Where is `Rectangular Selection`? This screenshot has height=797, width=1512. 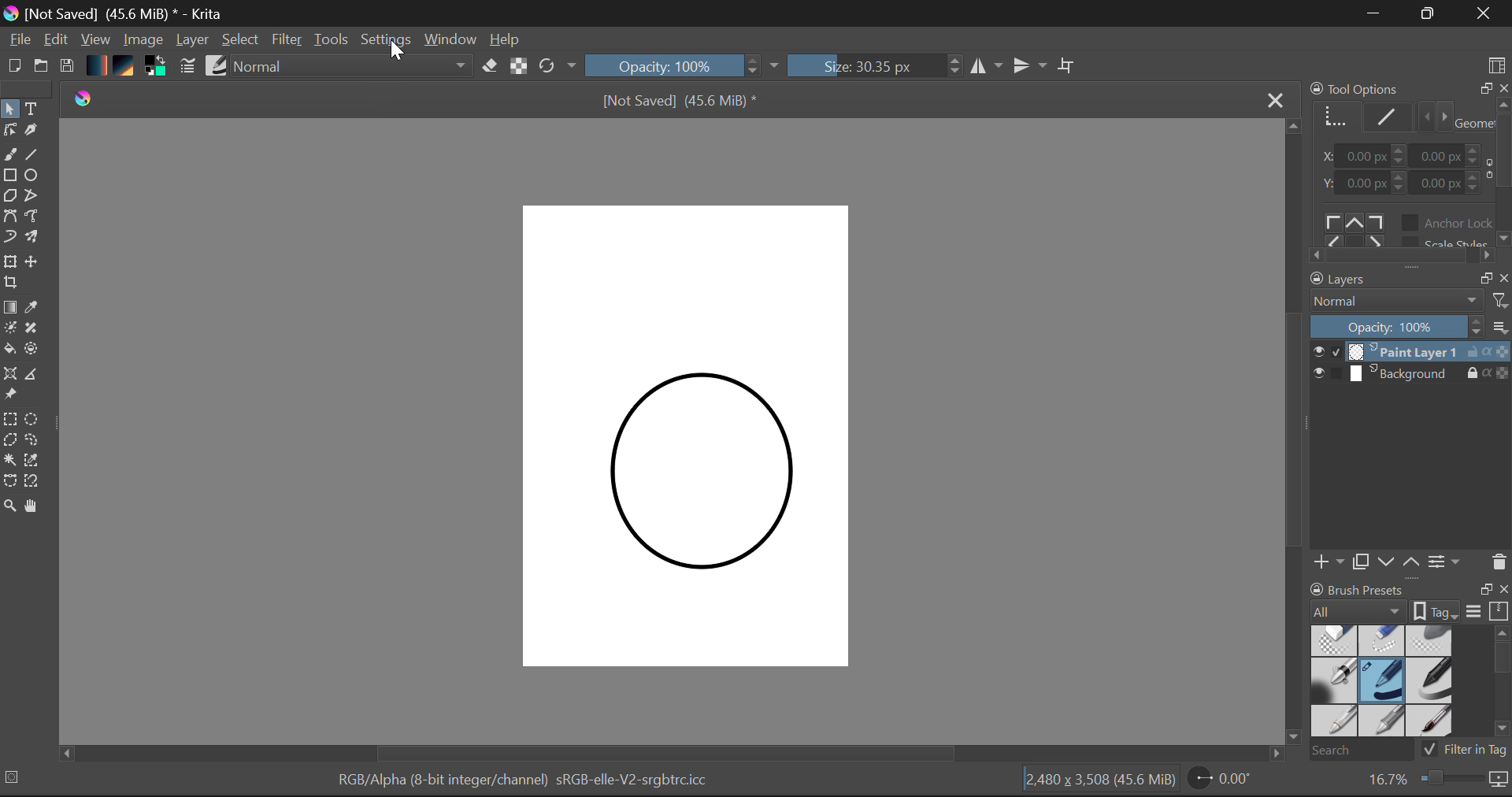
Rectangular Selection is located at coordinates (11, 419).